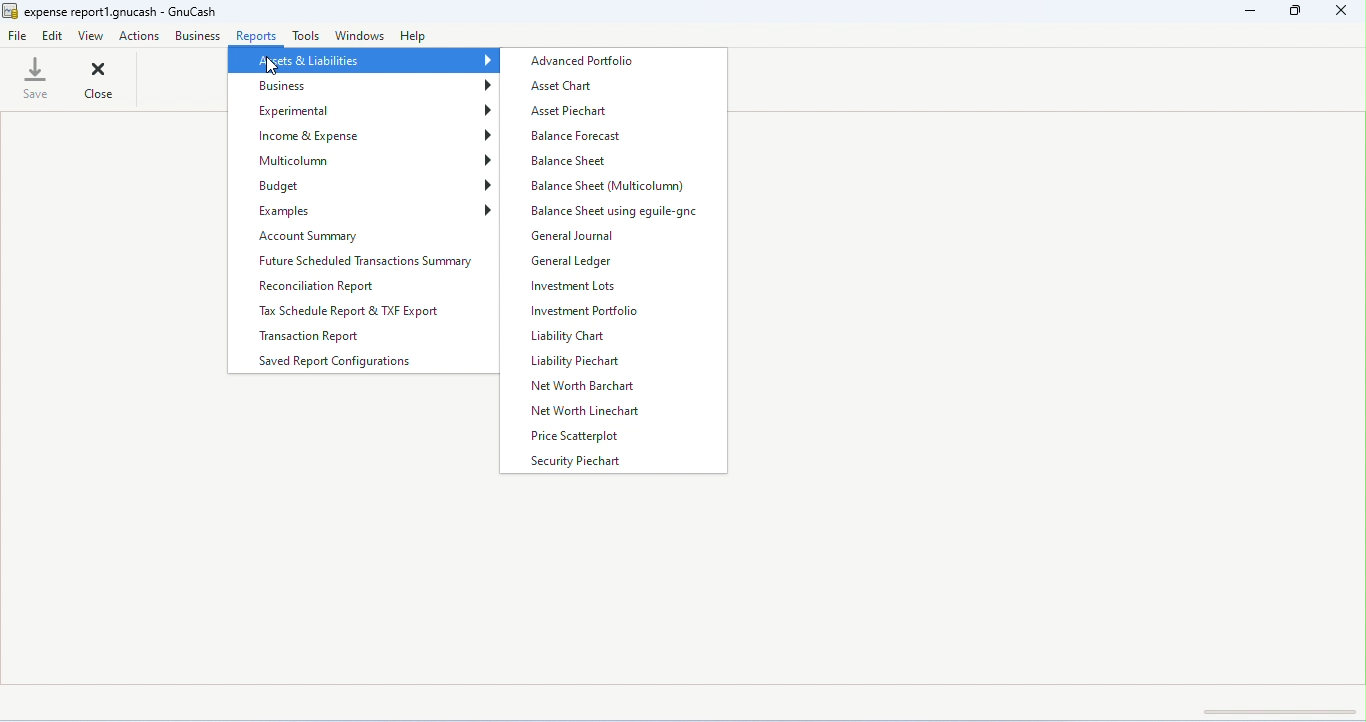  I want to click on balance sheet using eguile-gnc, so click(622, 212).